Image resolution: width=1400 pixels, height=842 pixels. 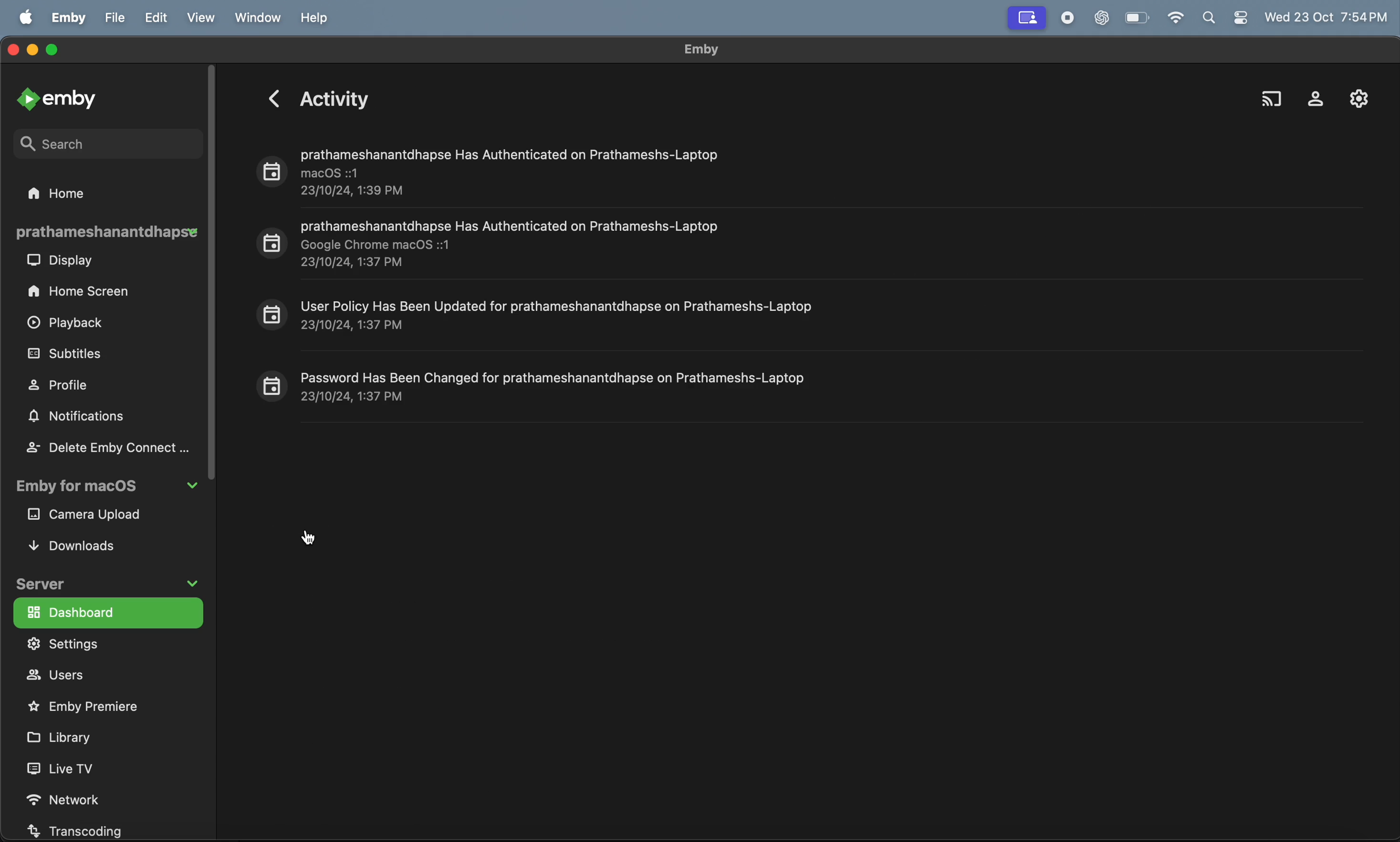 I want to click on network, so click(x=81, y=796).